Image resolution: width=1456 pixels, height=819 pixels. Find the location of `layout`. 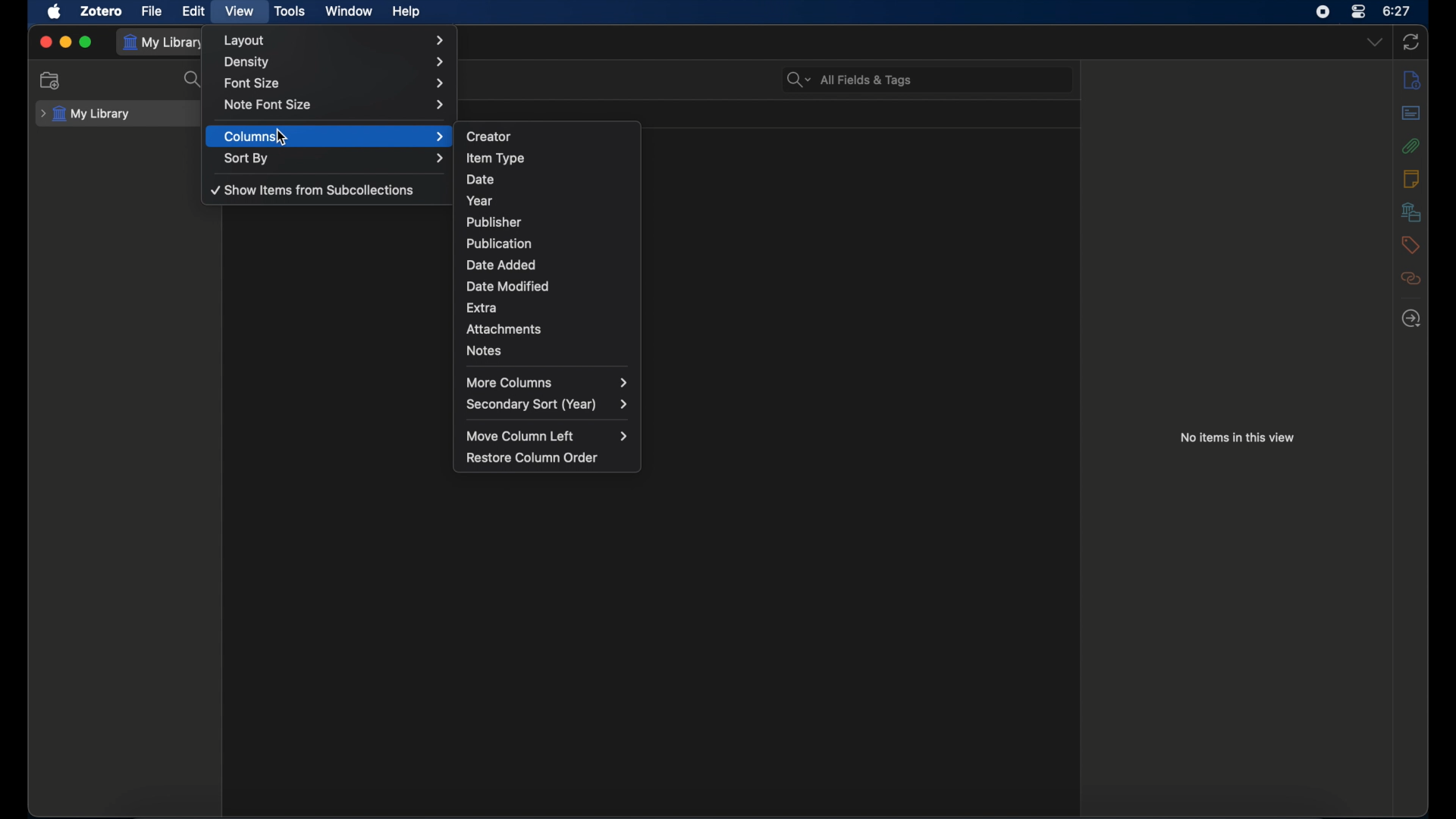

layout is located at coordinates (334, 40).